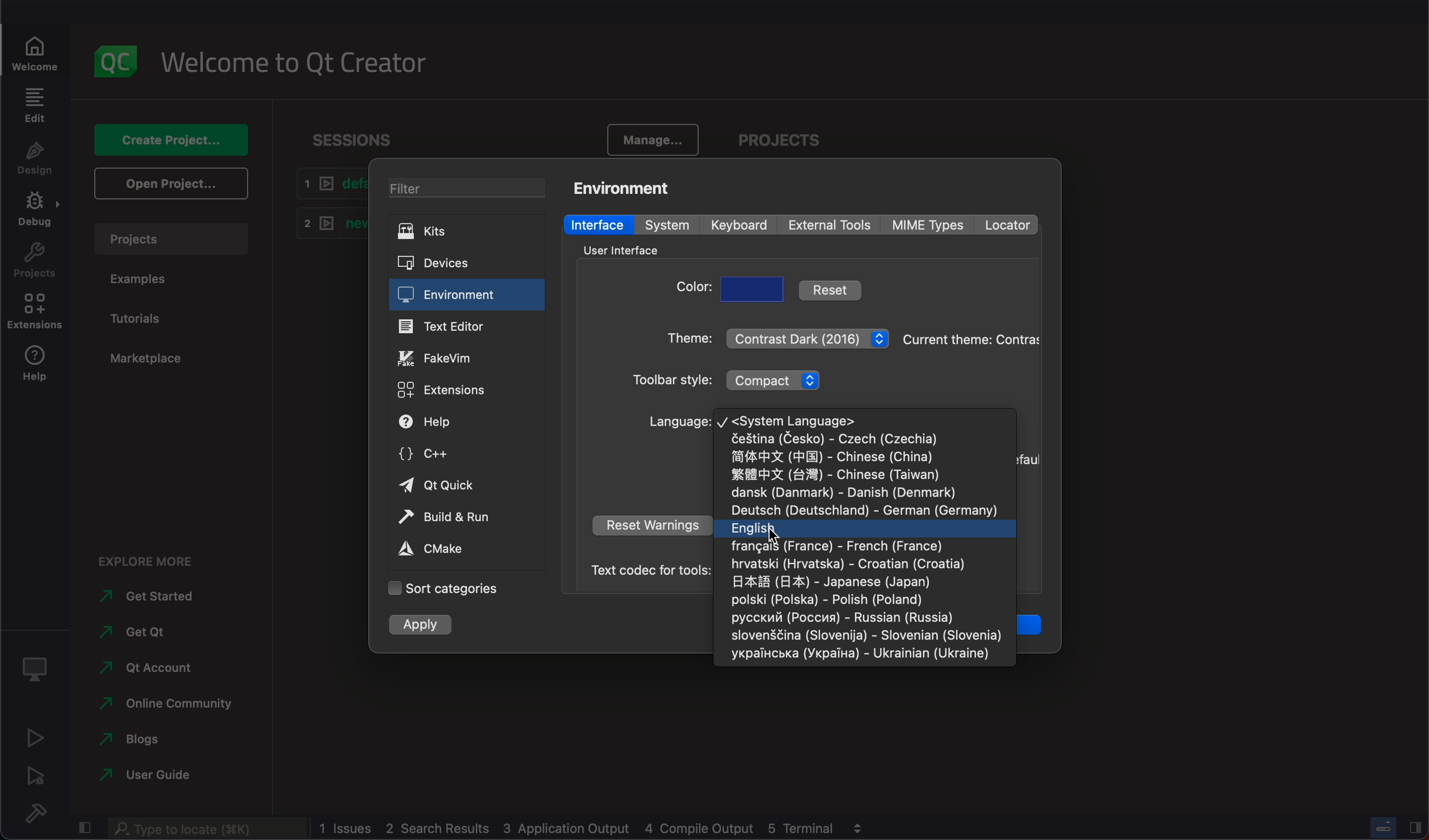 The height and width of the screenshot is (840, 1429). What do you see at coordinates (168, 184) in the screenshot?
I see `open` at bounding box center [168, 184].